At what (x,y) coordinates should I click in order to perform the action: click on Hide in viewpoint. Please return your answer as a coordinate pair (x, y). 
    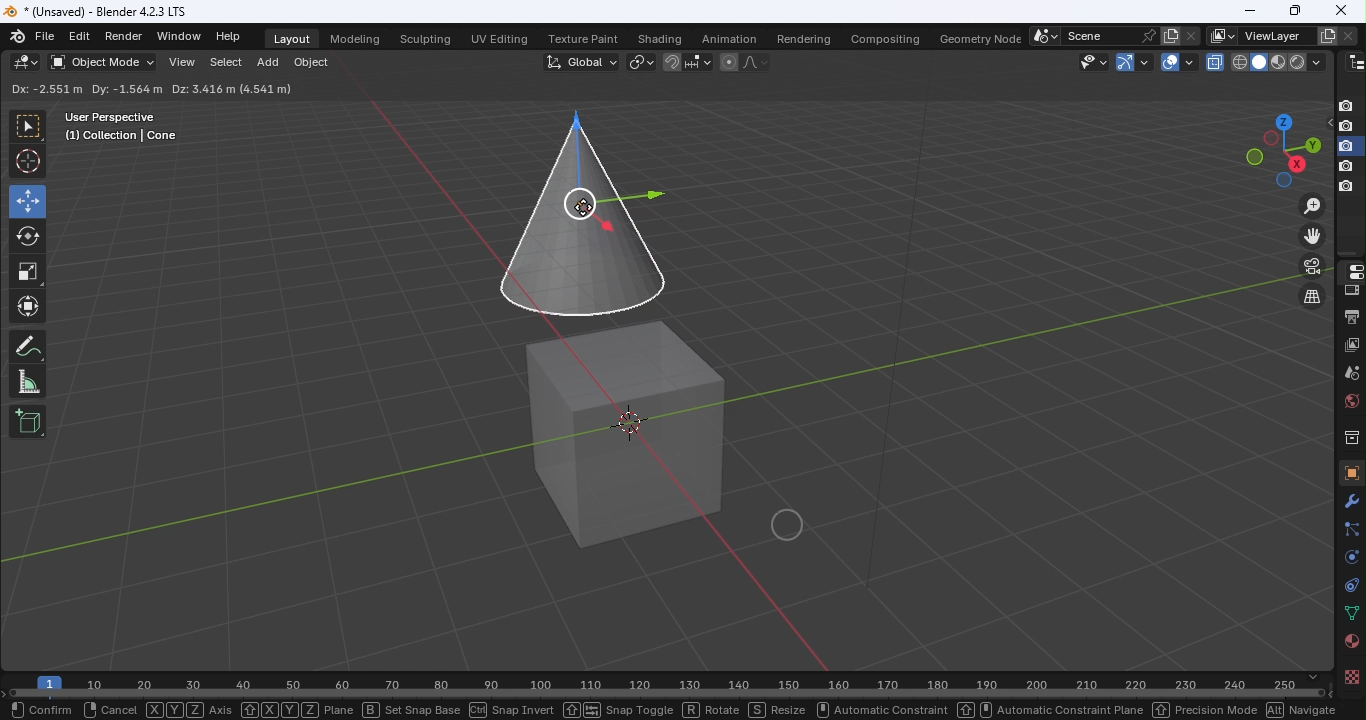
    Looking at the image, I should click on (1325, 124).